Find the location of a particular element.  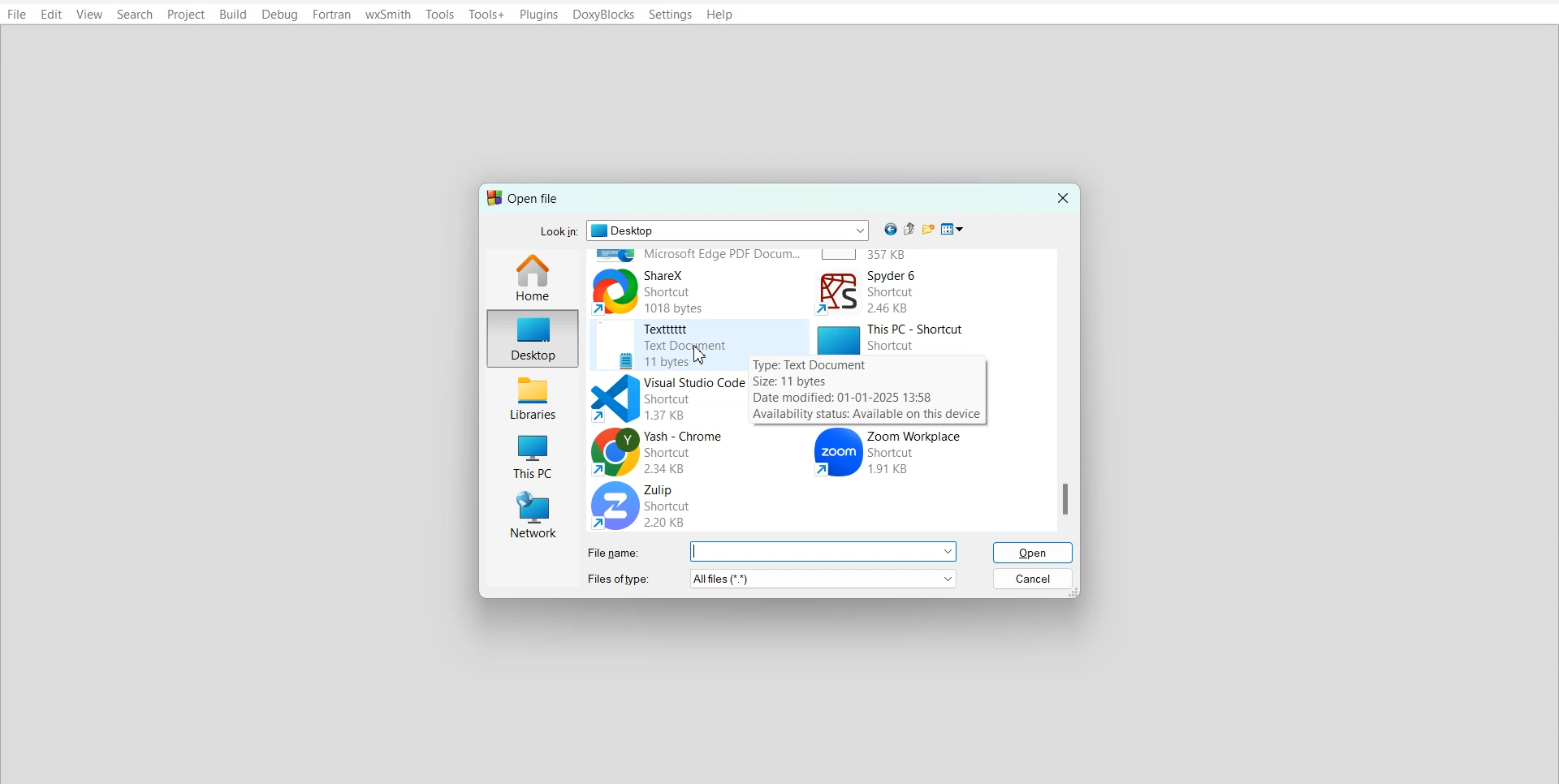

This PC is located at coordinates (899, 338).